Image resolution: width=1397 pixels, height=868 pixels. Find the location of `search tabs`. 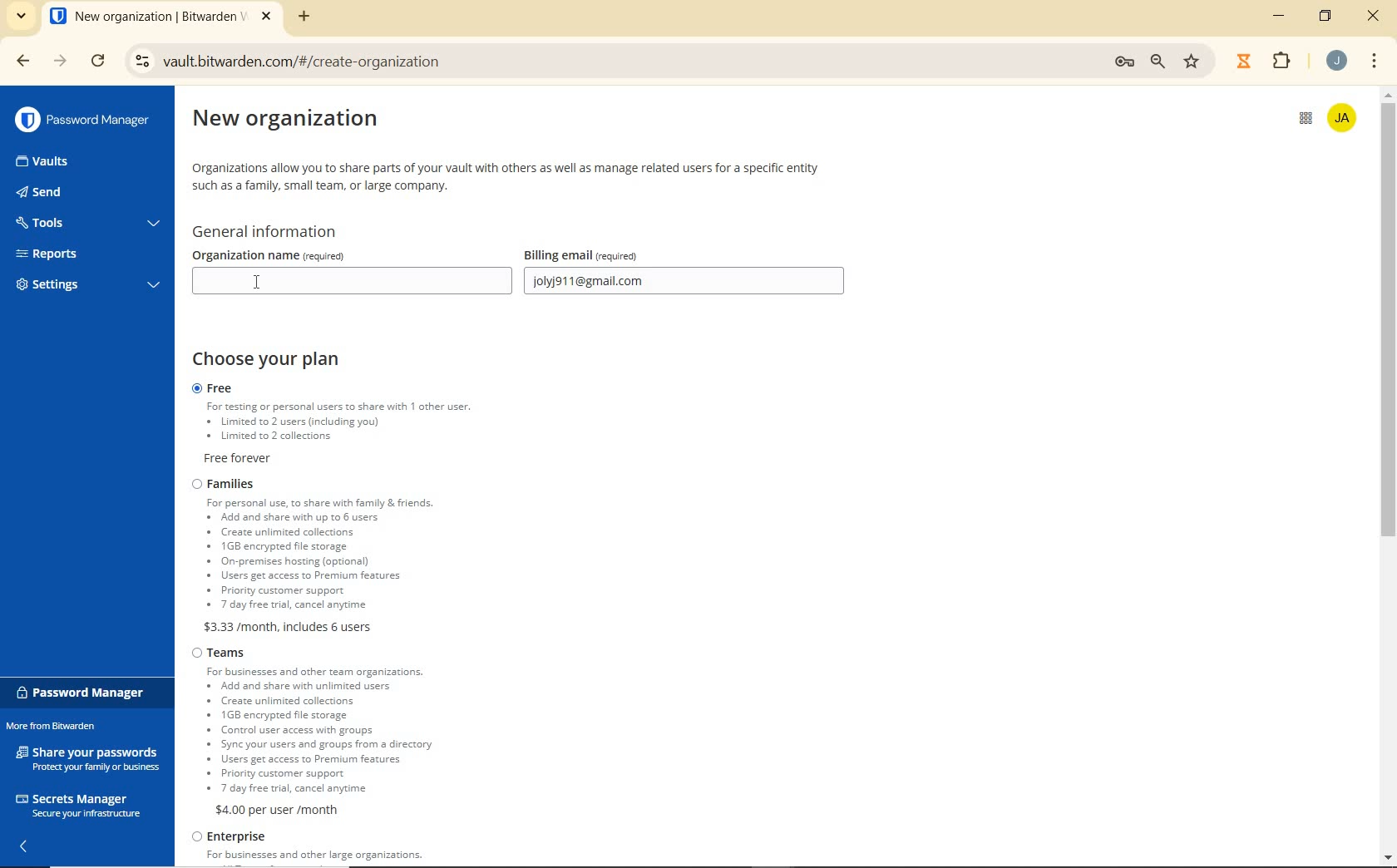

search tabs is located at coordinates (21, 17).